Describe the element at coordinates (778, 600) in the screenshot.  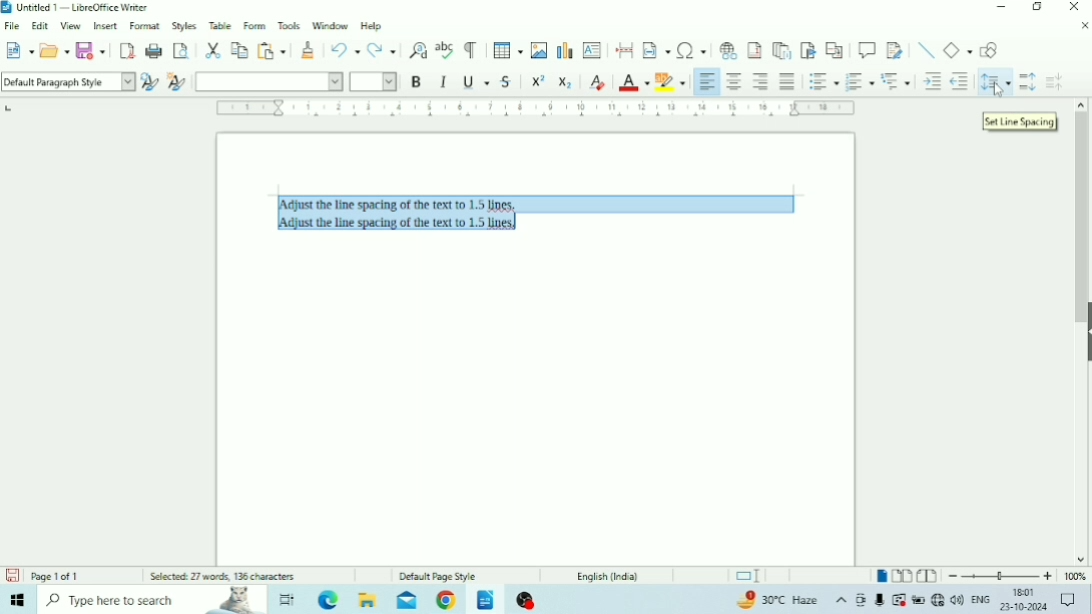
I see `Temperature` at that location.